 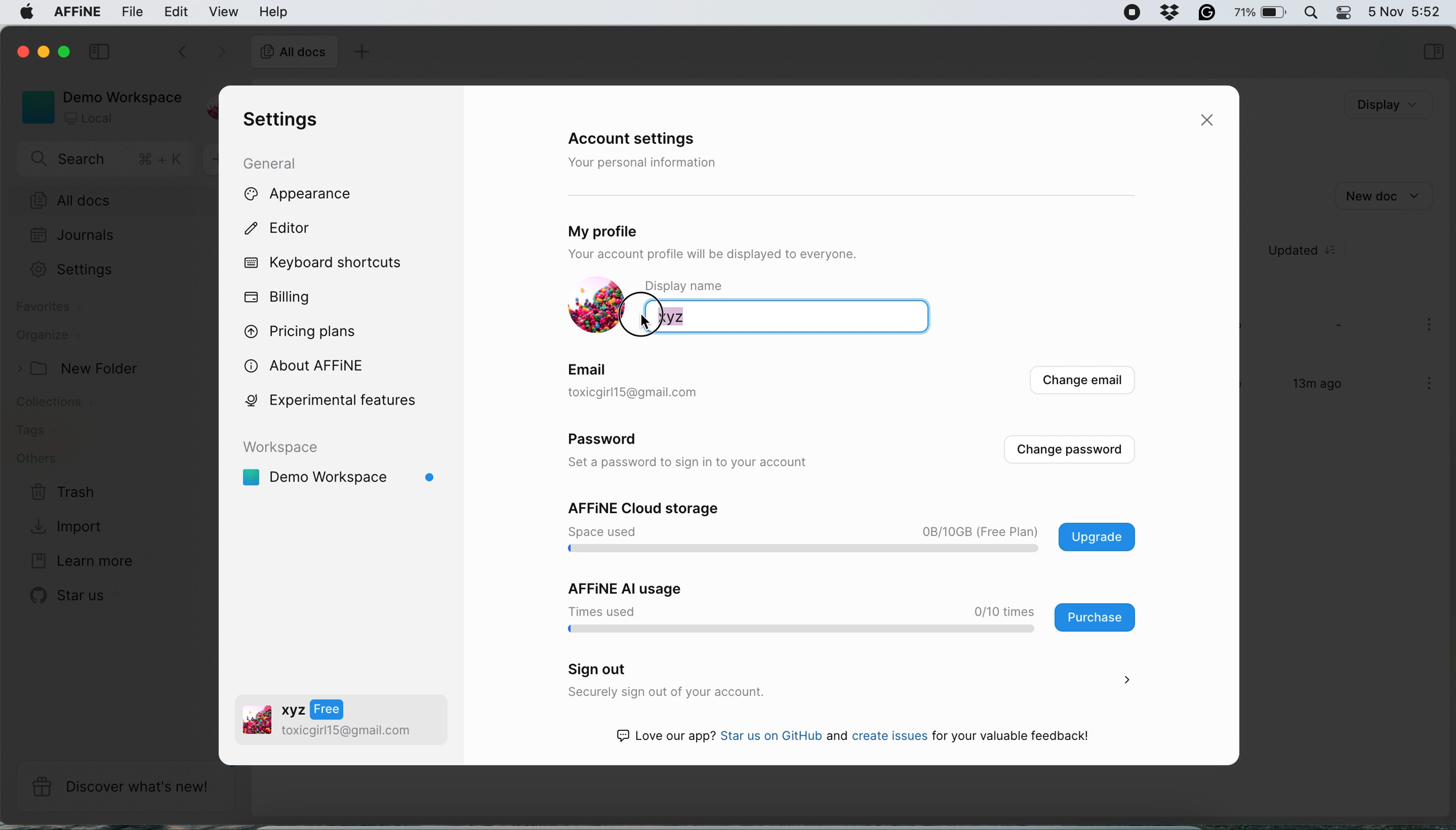 What do you see at coordinates (1431, 326) in the screenshot?
I see `more options` at bounding box center [1431, 326].